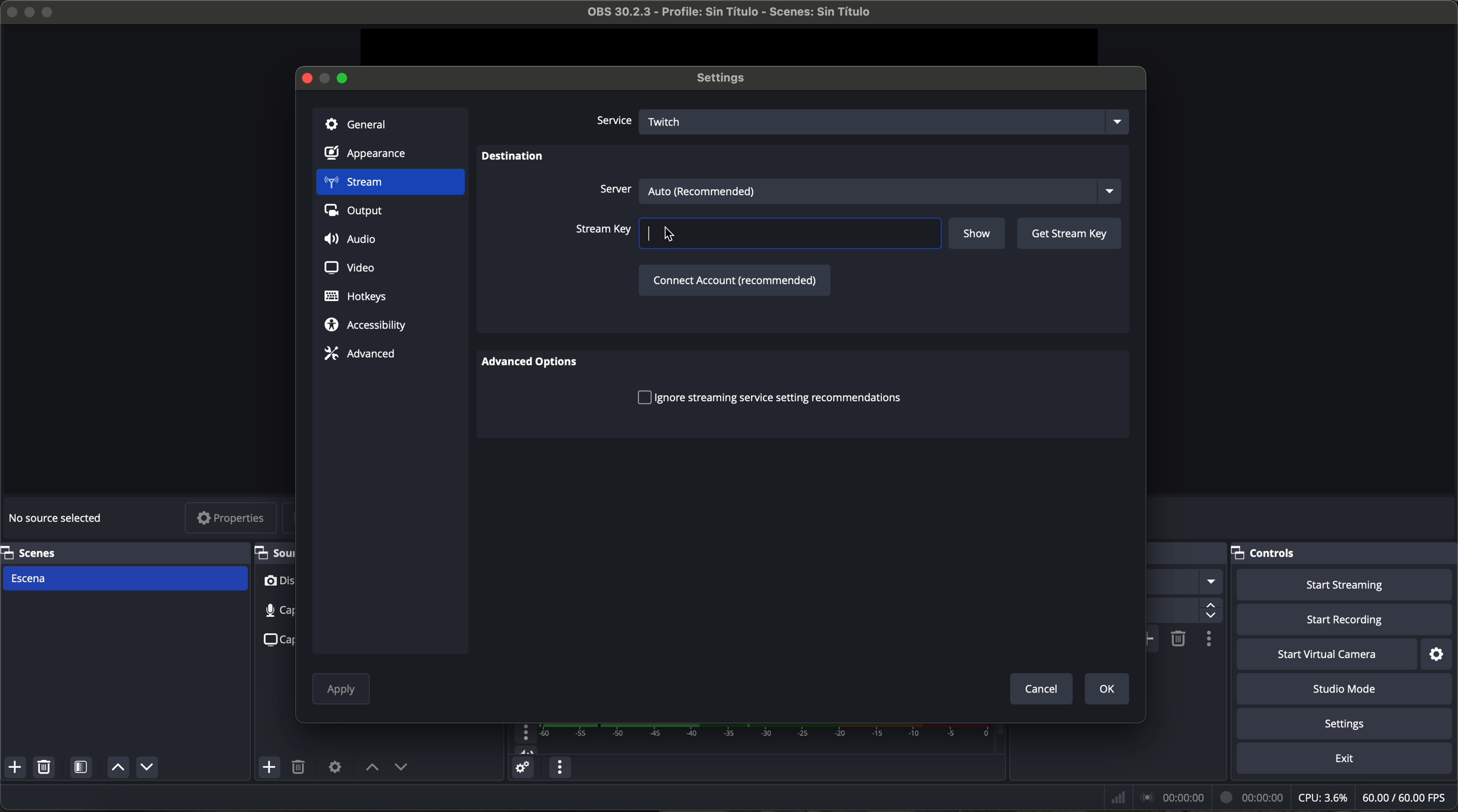 This screenshot has height=812, width=1458. Describe the element at coordinates (1277, 797) in the screenshot. I see `data` at that location.